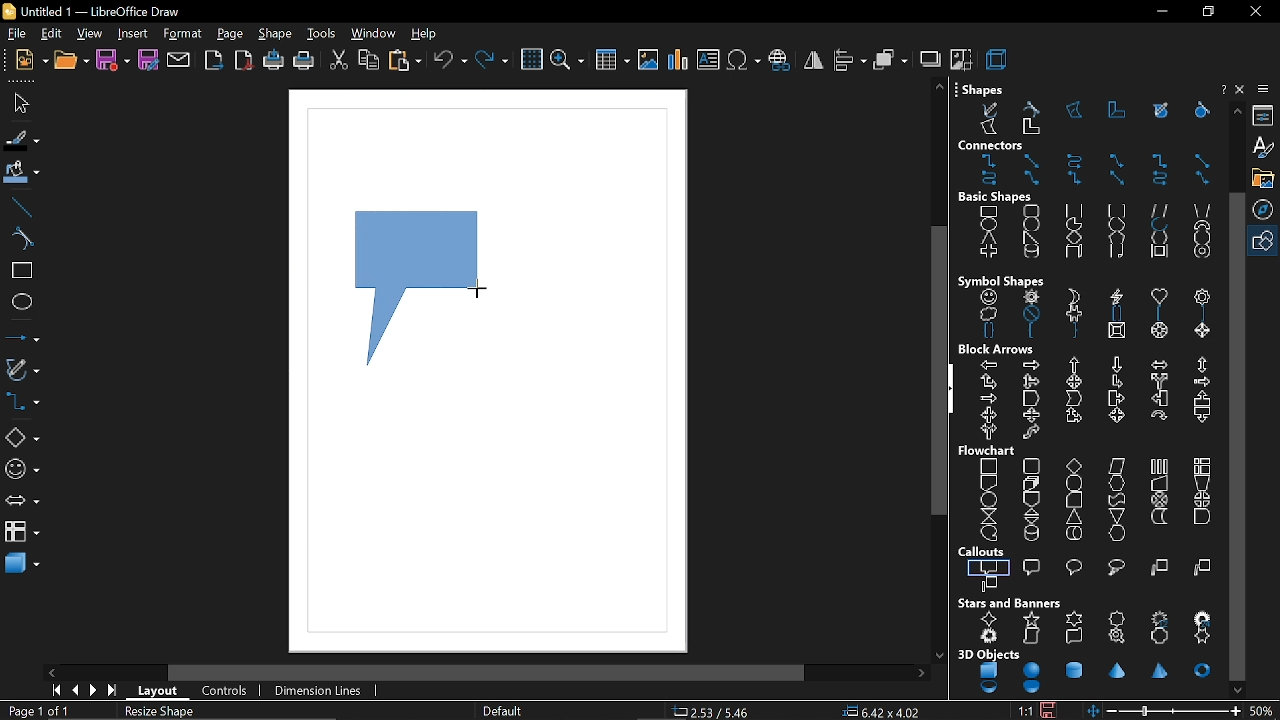 The image size is (1280, 720). Describe the element at coordinates (1115, 399) in the screenshot. I see `right arrow callout` at that location.